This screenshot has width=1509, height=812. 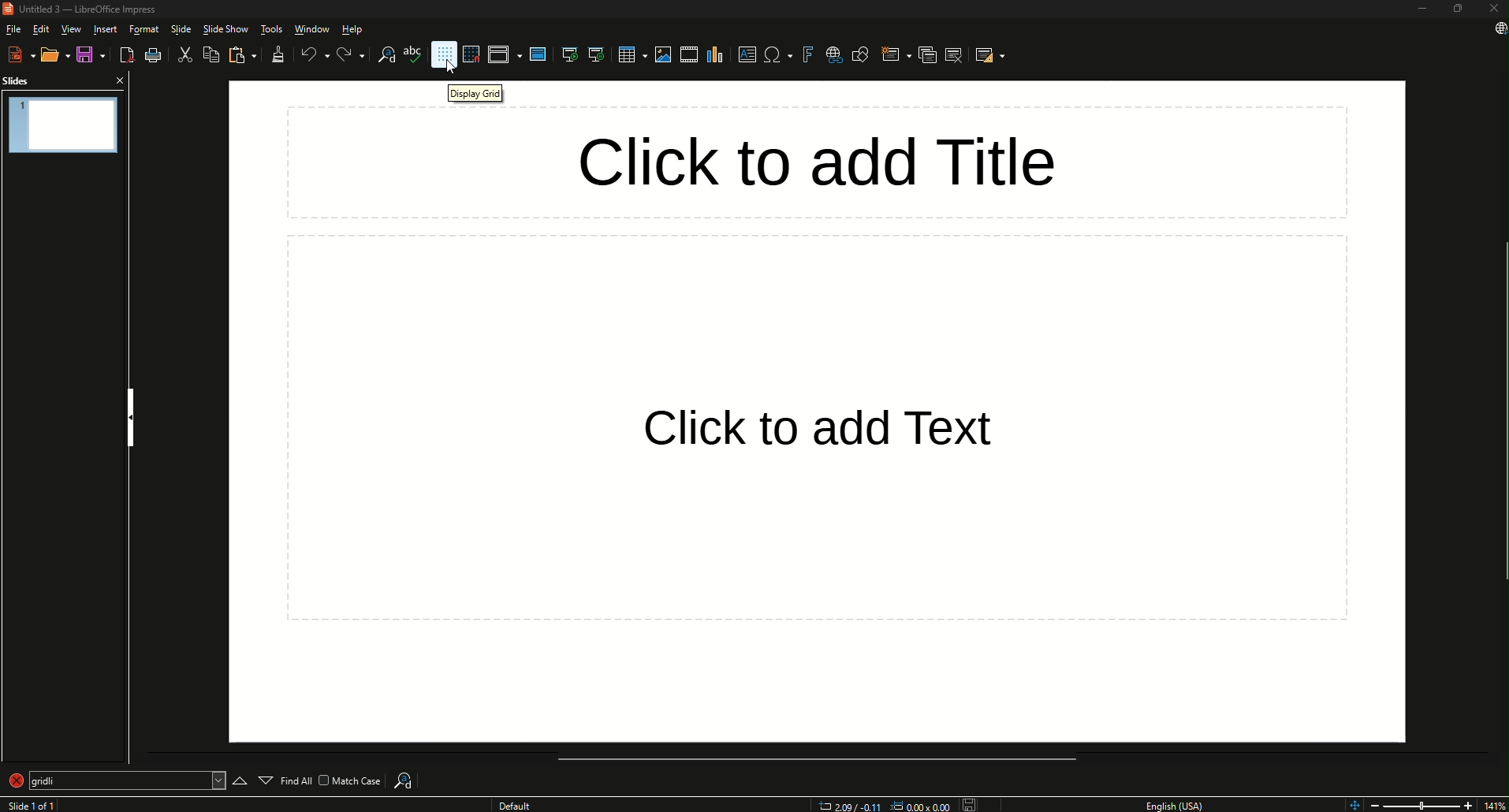 What do you see at coordinates (596, 54) in the screenshot?
I see `Start from current slide` at bounding box center [596, 54].